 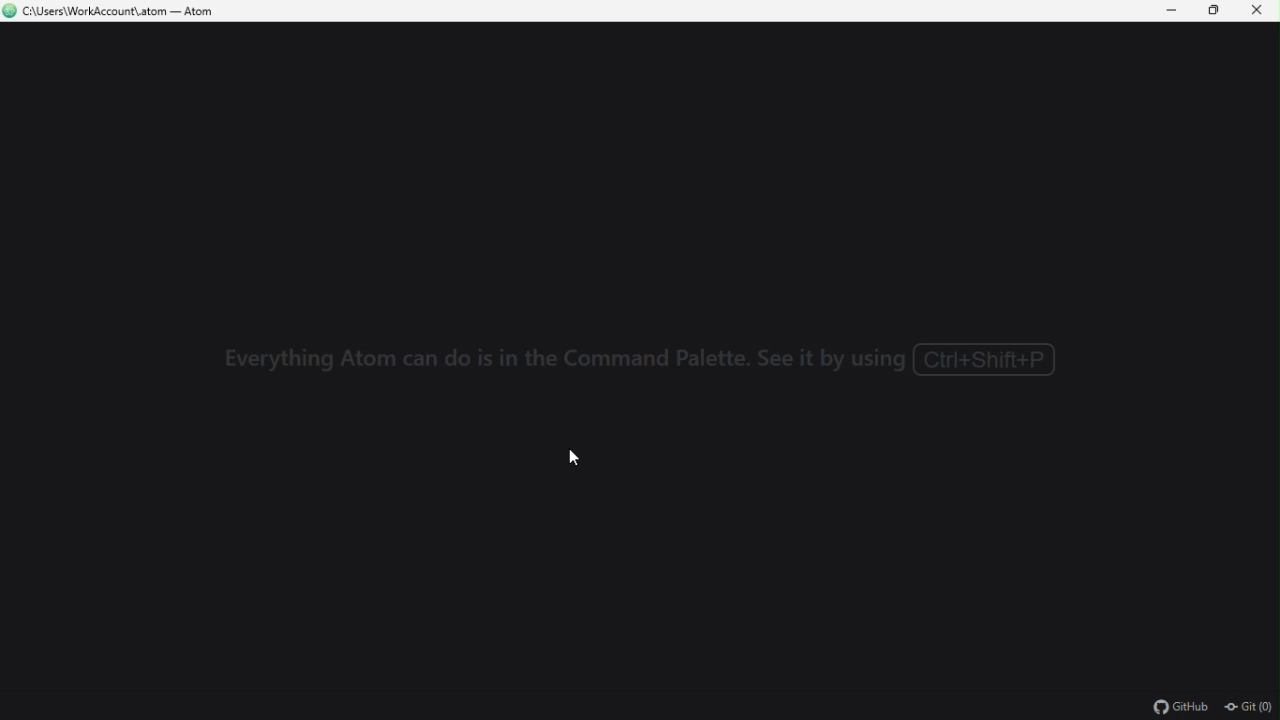 What do you see at coordinates (1215, 12) in the screenshot?
I see `restore` at bounding box center [1215, 12].